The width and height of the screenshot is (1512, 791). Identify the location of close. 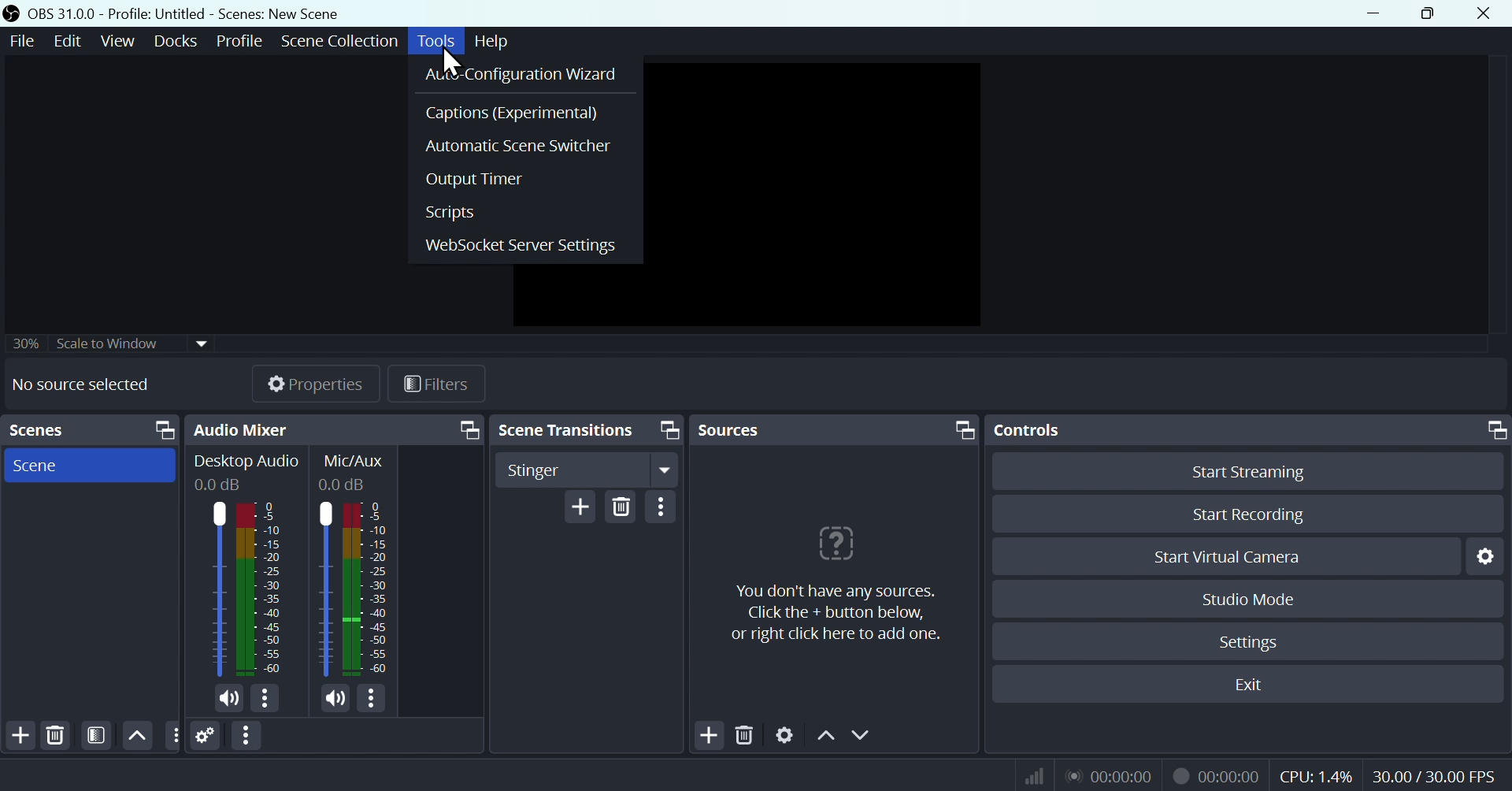
(1487, 13).